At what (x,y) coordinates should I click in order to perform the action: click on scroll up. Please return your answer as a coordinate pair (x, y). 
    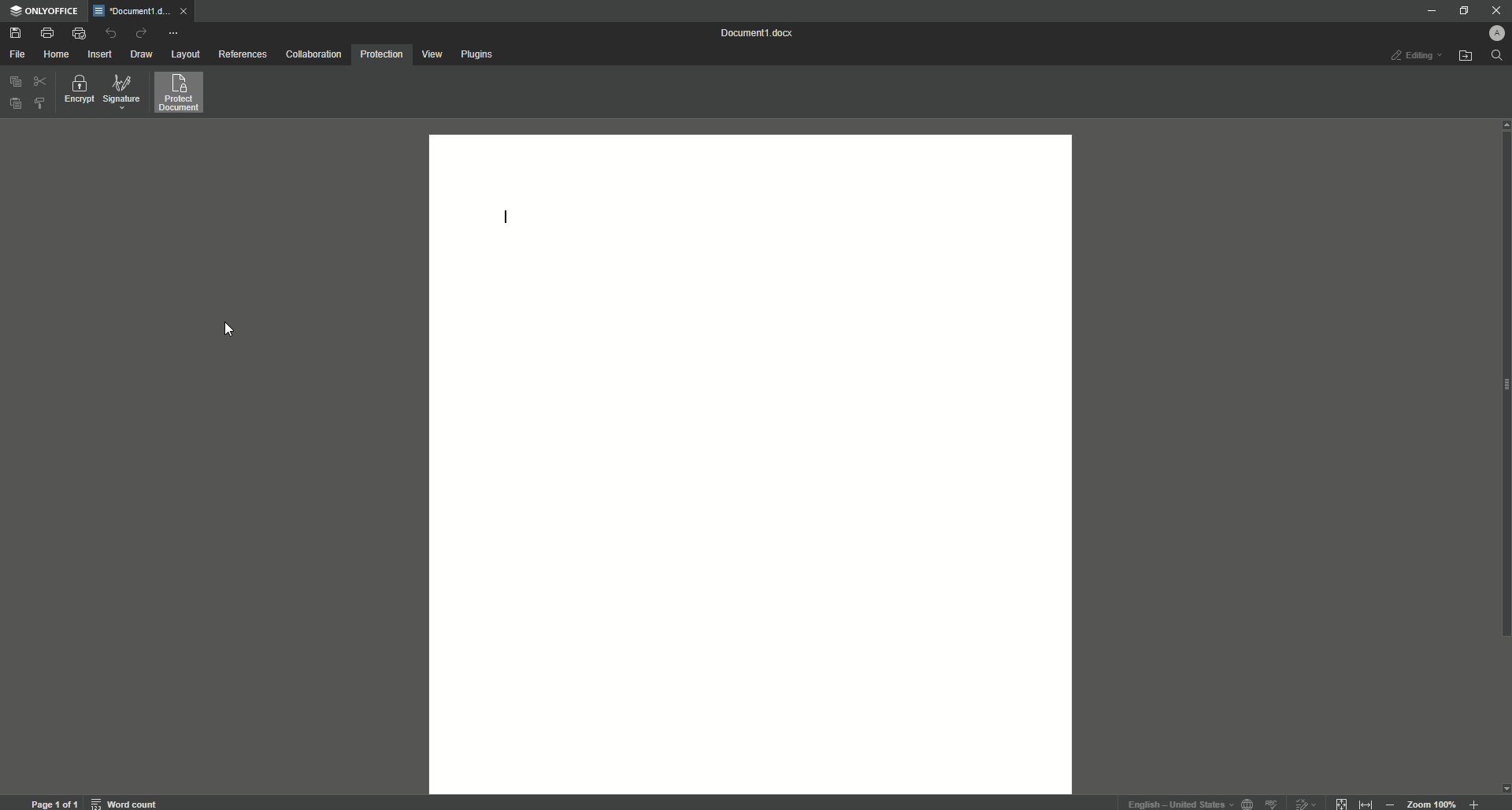
    Looking at the image, I should click on (1503, 125).